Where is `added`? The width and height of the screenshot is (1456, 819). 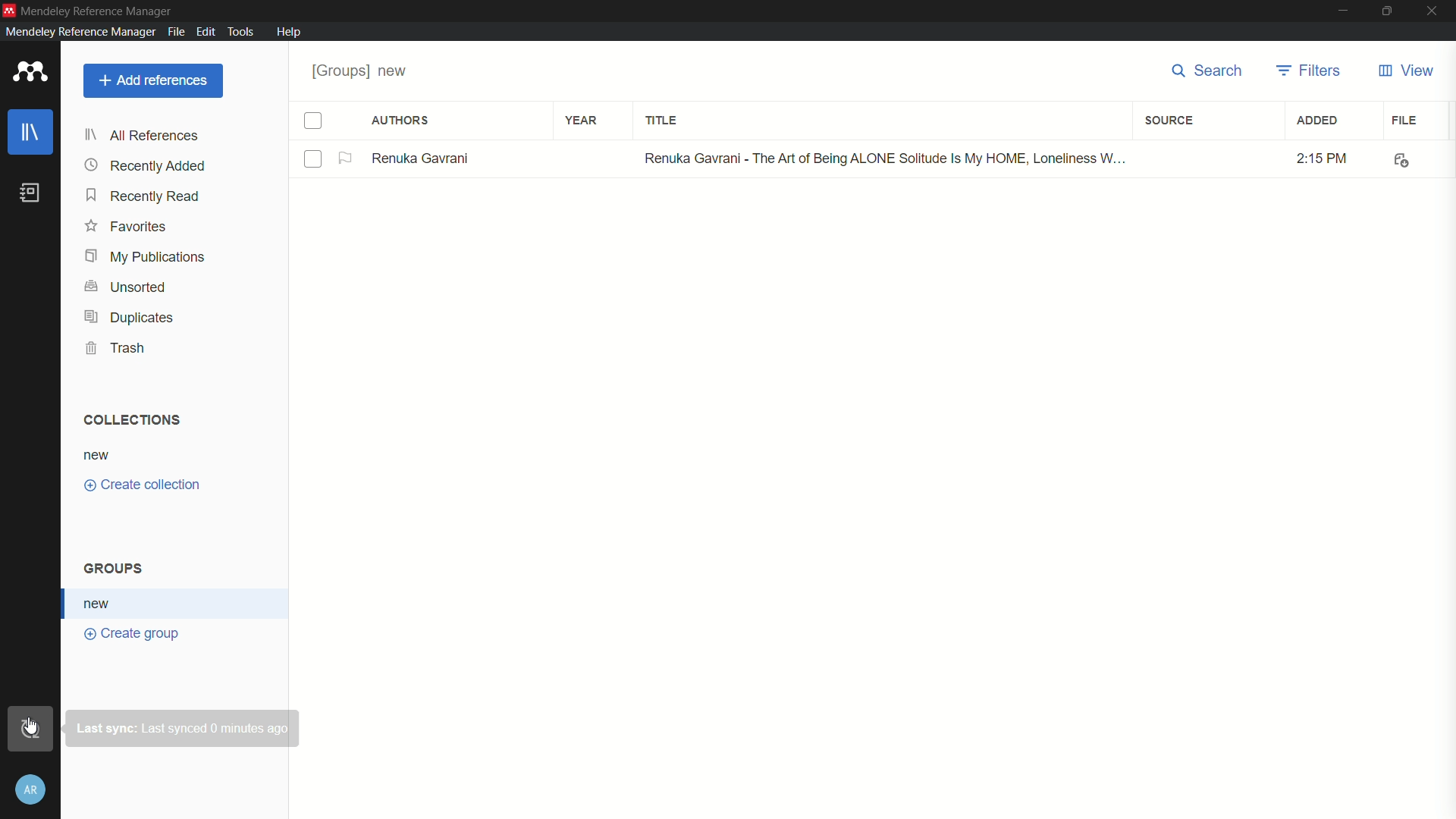
added is located at coordinates (1319, 121).